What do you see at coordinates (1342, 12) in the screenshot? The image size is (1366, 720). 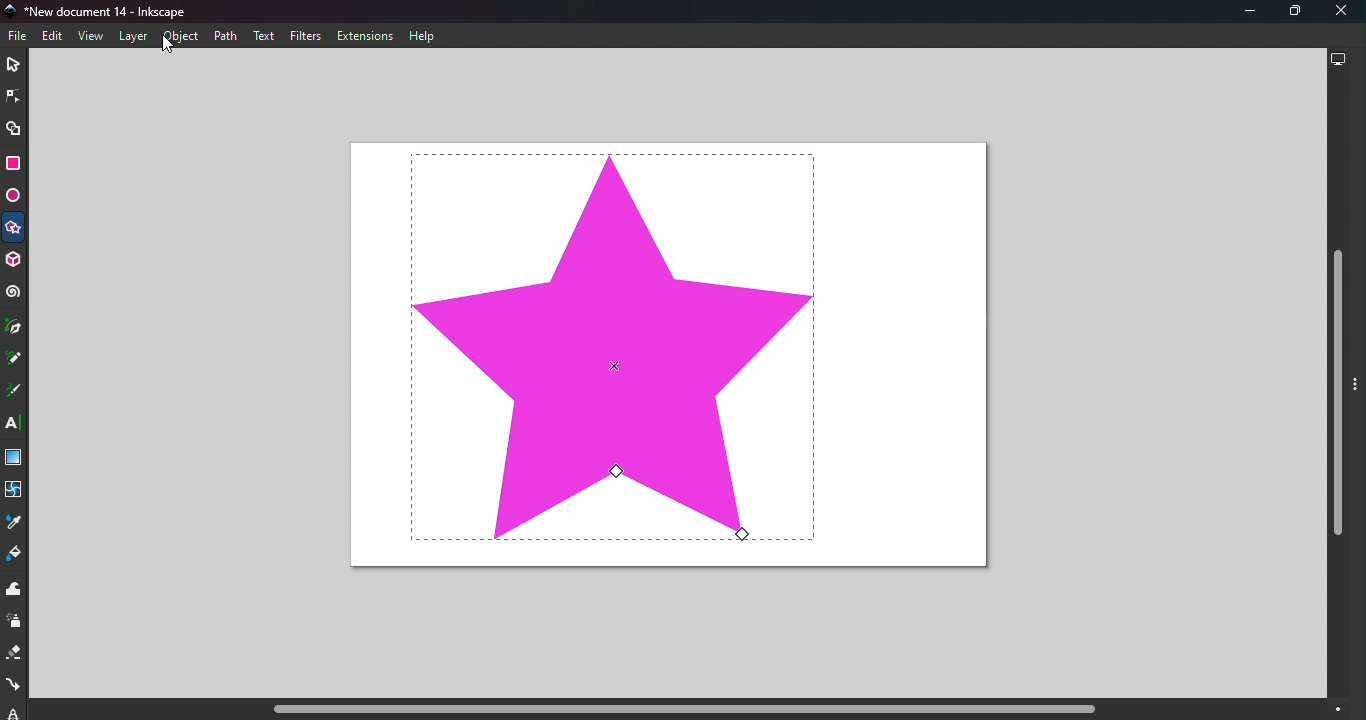 I see `Close` at bounding box center [1342, 12].